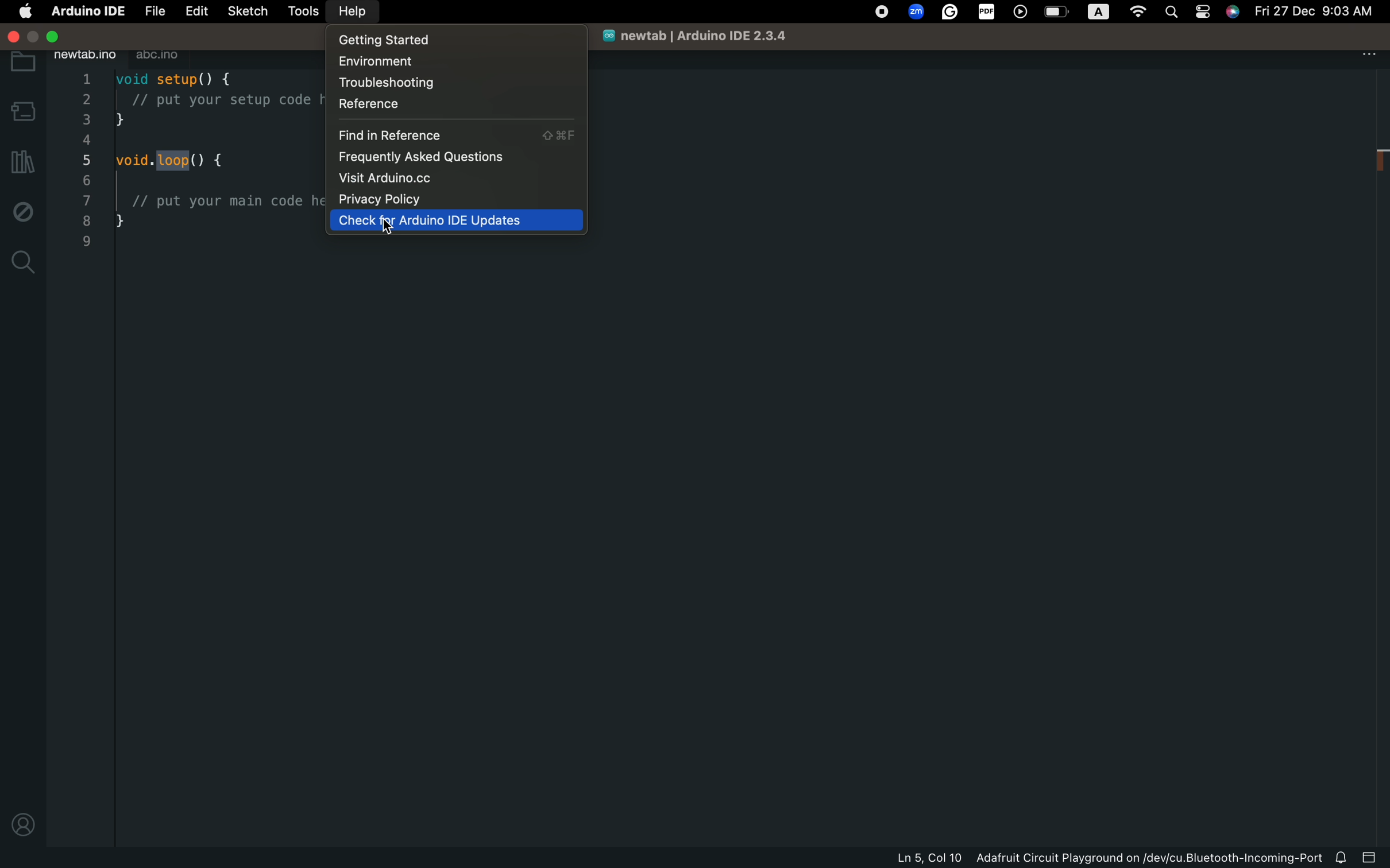 This screenshot has height=868, width=1390. I want to click on privacy policy, so click(390, 197).